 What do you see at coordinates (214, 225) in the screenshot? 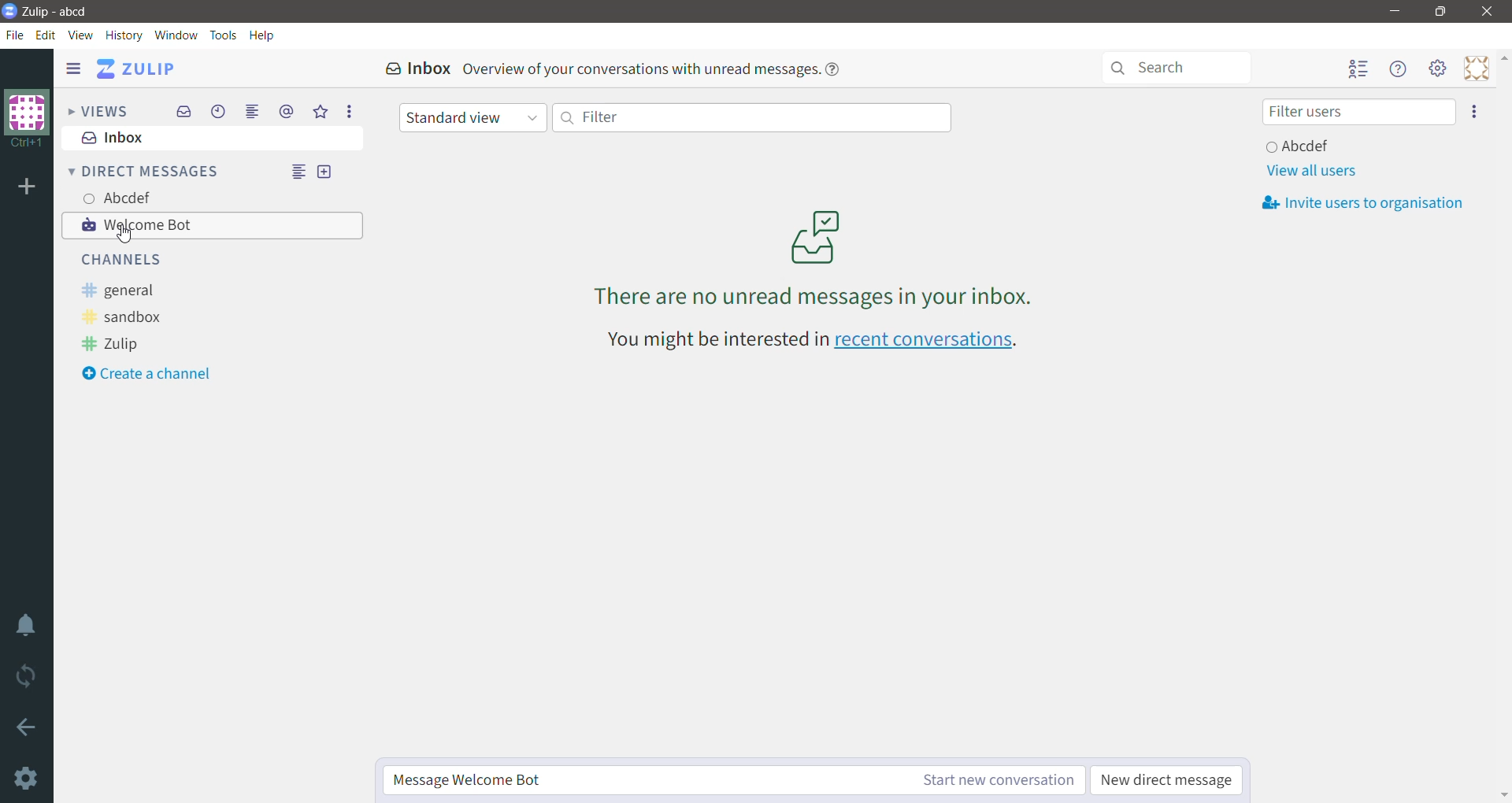
I see `welcome bot` at bounding box center [214, 225].